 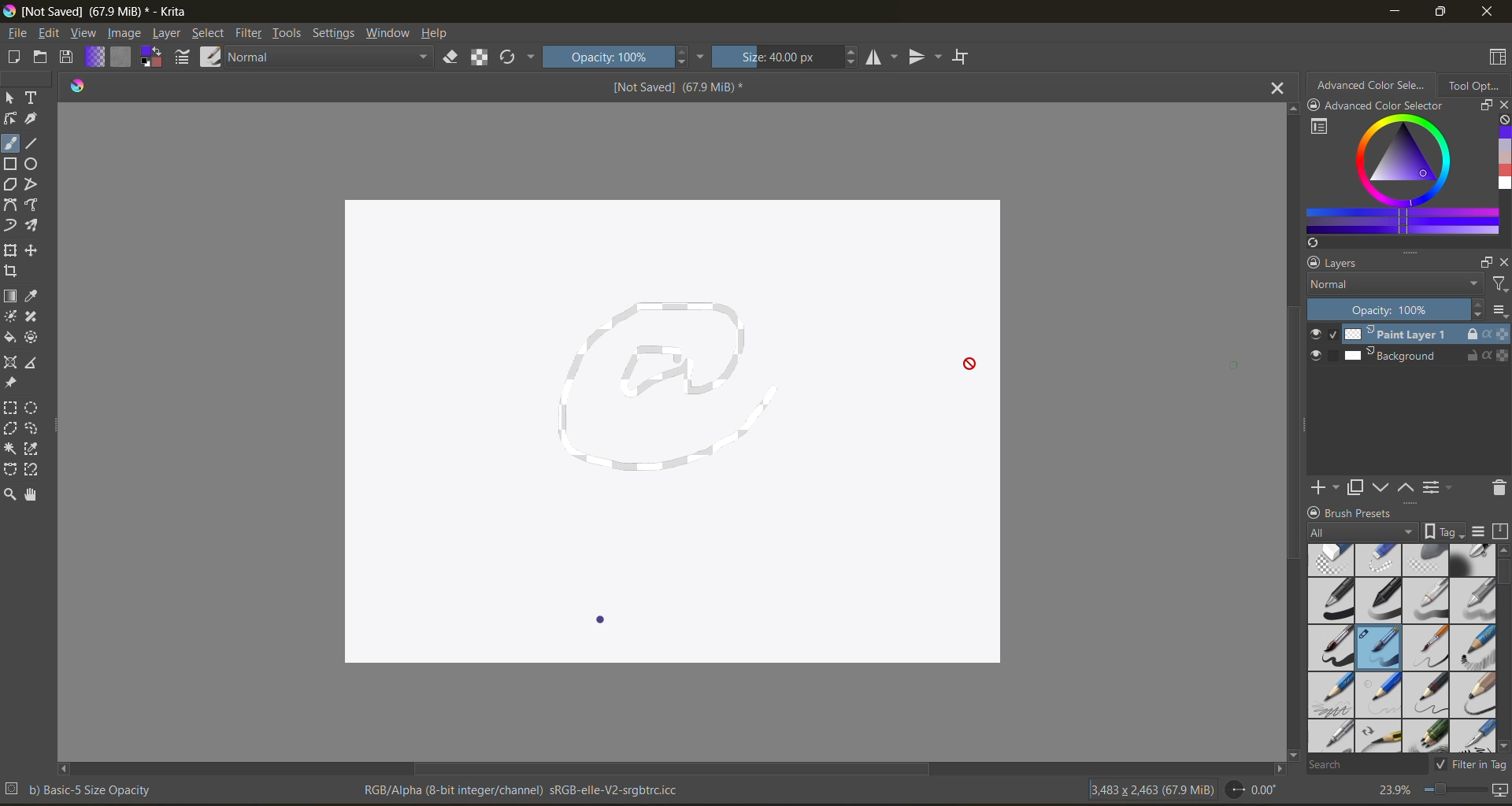 I want to click on pan tool, so click(x=32, y=494).